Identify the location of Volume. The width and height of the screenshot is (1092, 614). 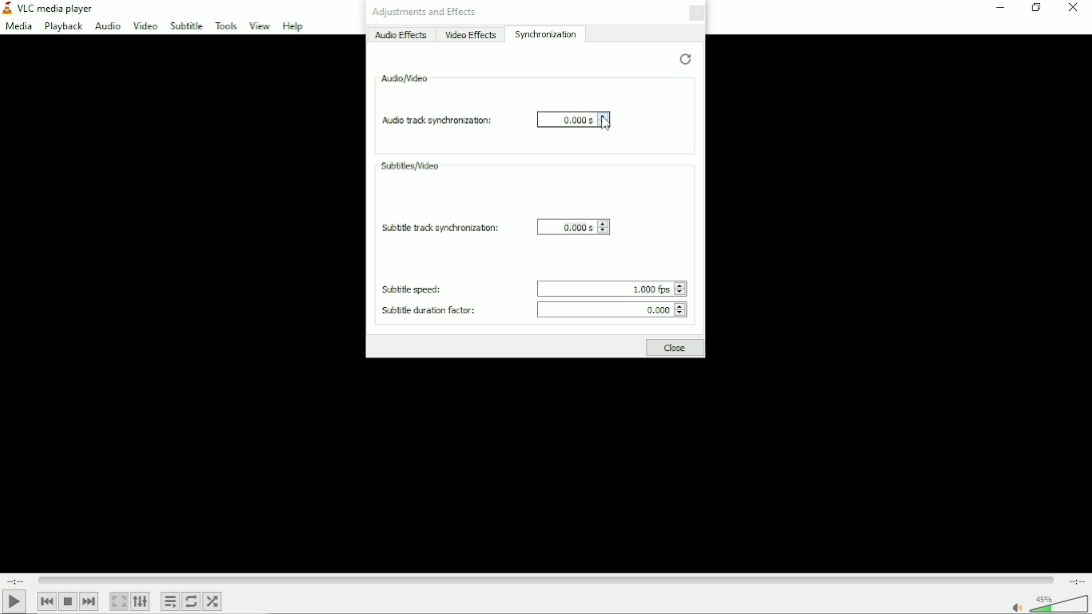
(1047, 603).